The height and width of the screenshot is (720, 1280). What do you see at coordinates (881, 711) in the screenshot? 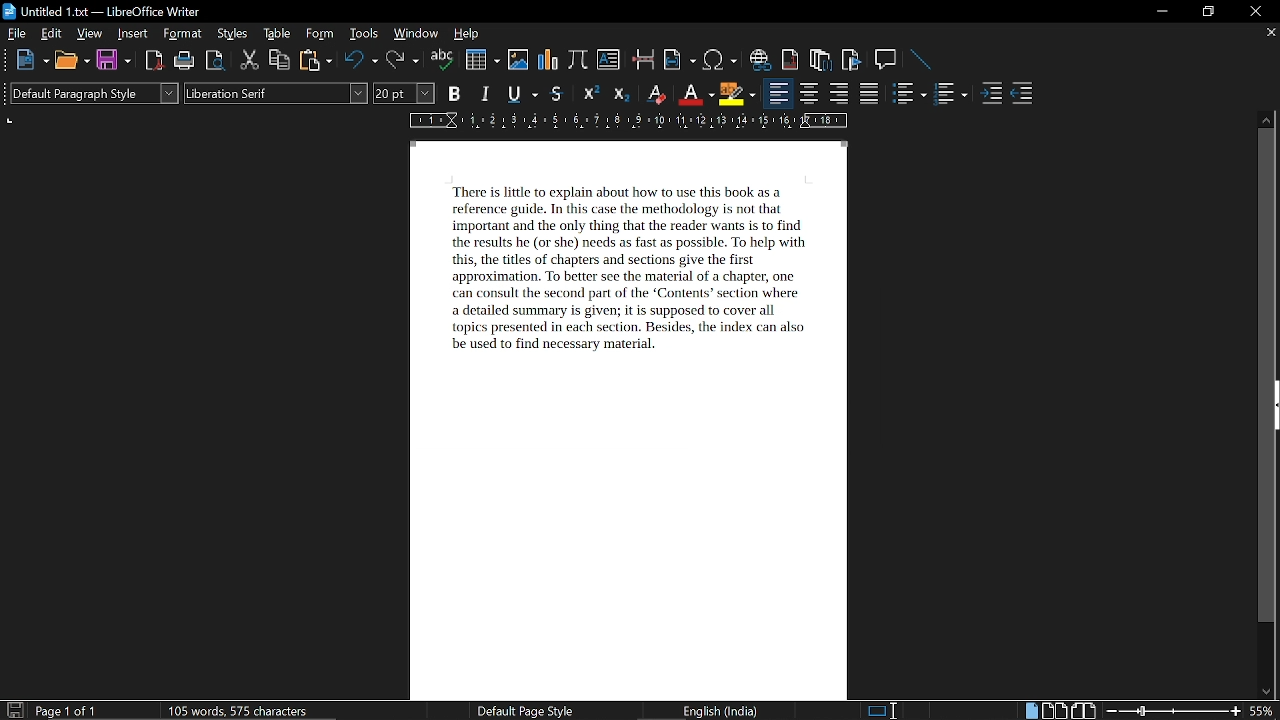
I see `selection method` at bounding box center [881, 711].